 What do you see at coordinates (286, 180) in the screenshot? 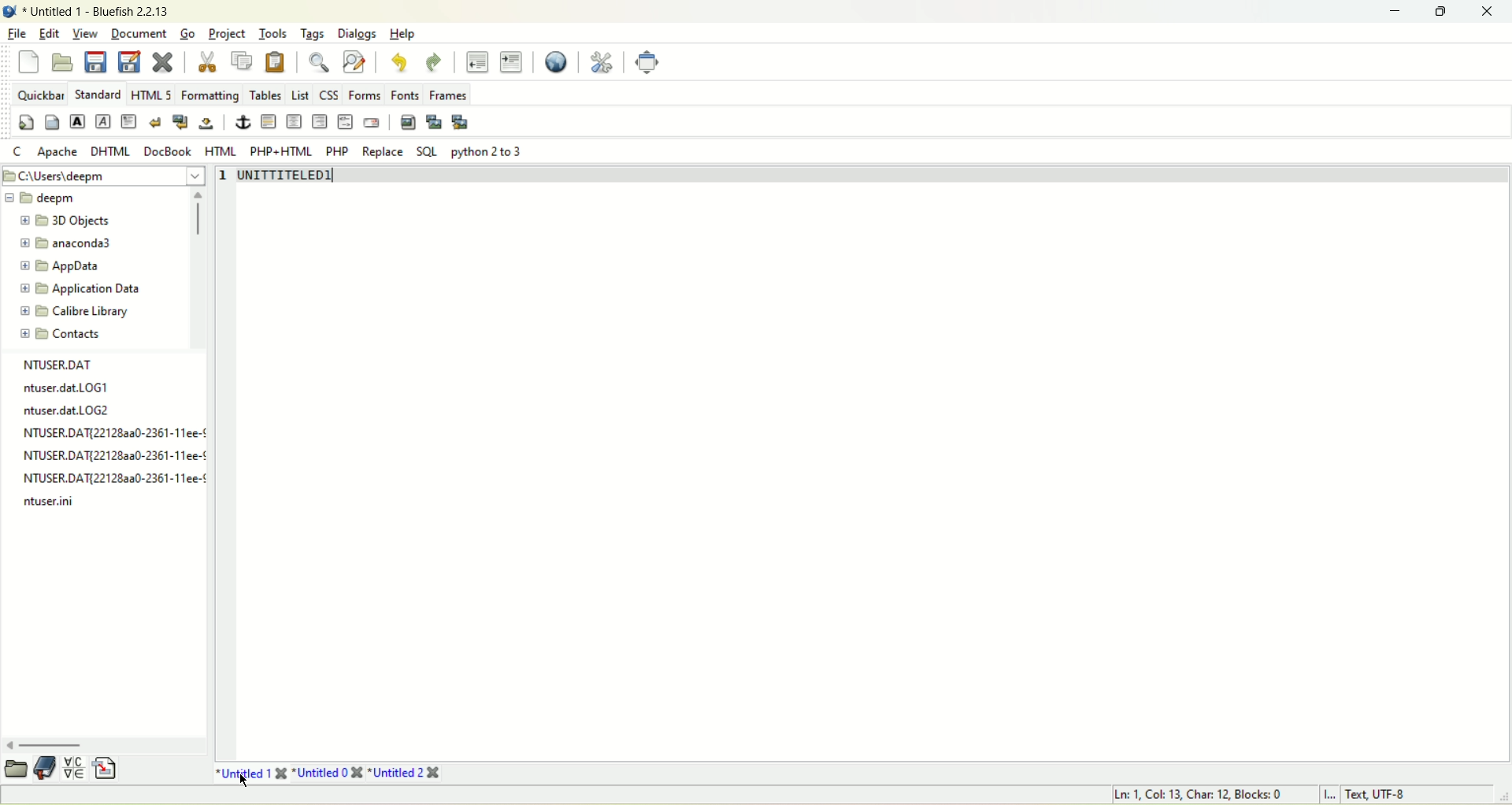
I see `Untitled 1` at bounding box center [286, 180].